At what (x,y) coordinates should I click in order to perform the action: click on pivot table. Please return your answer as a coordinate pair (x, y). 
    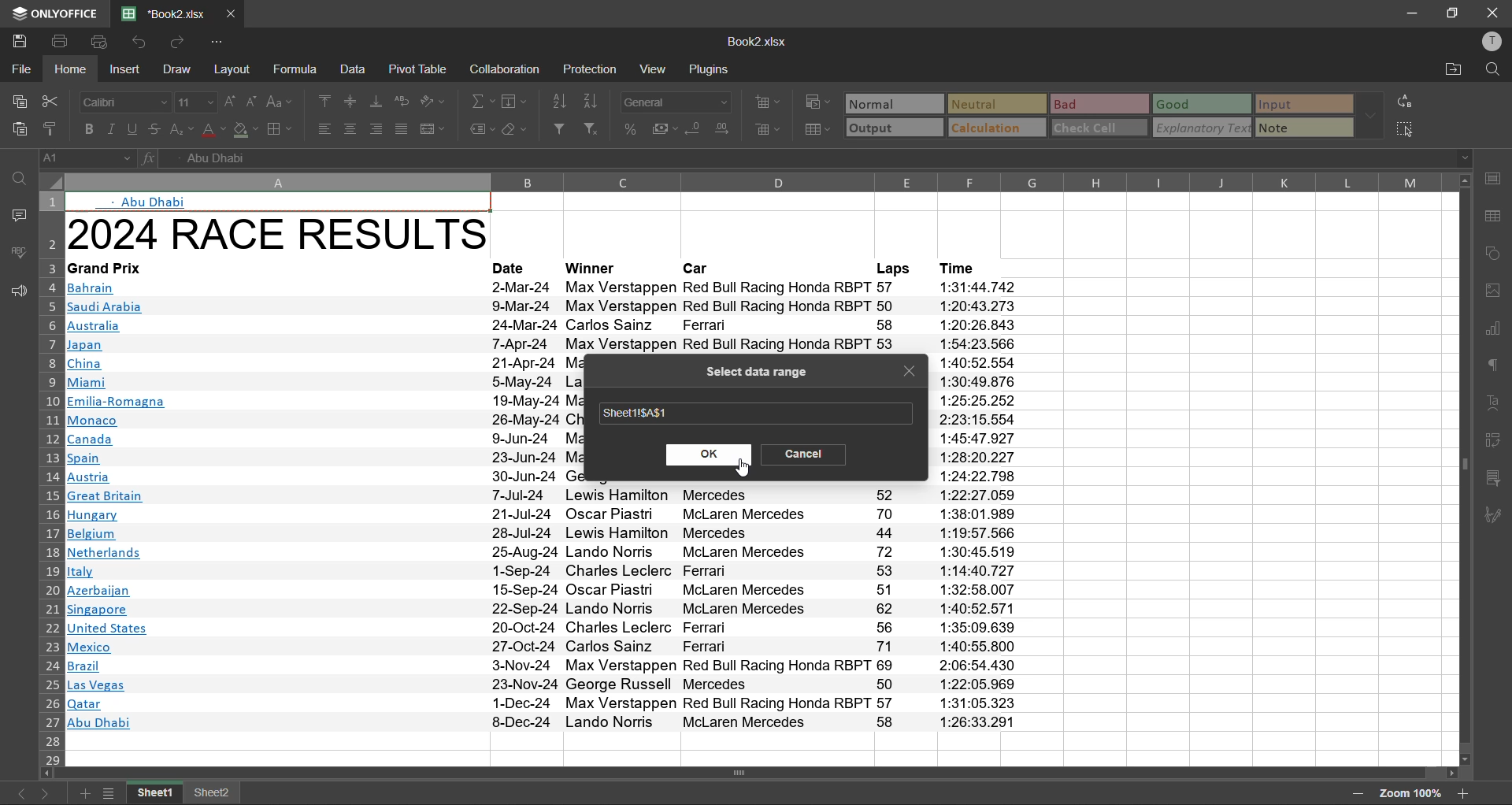
    Looking at the image, I should click on (418, 70).